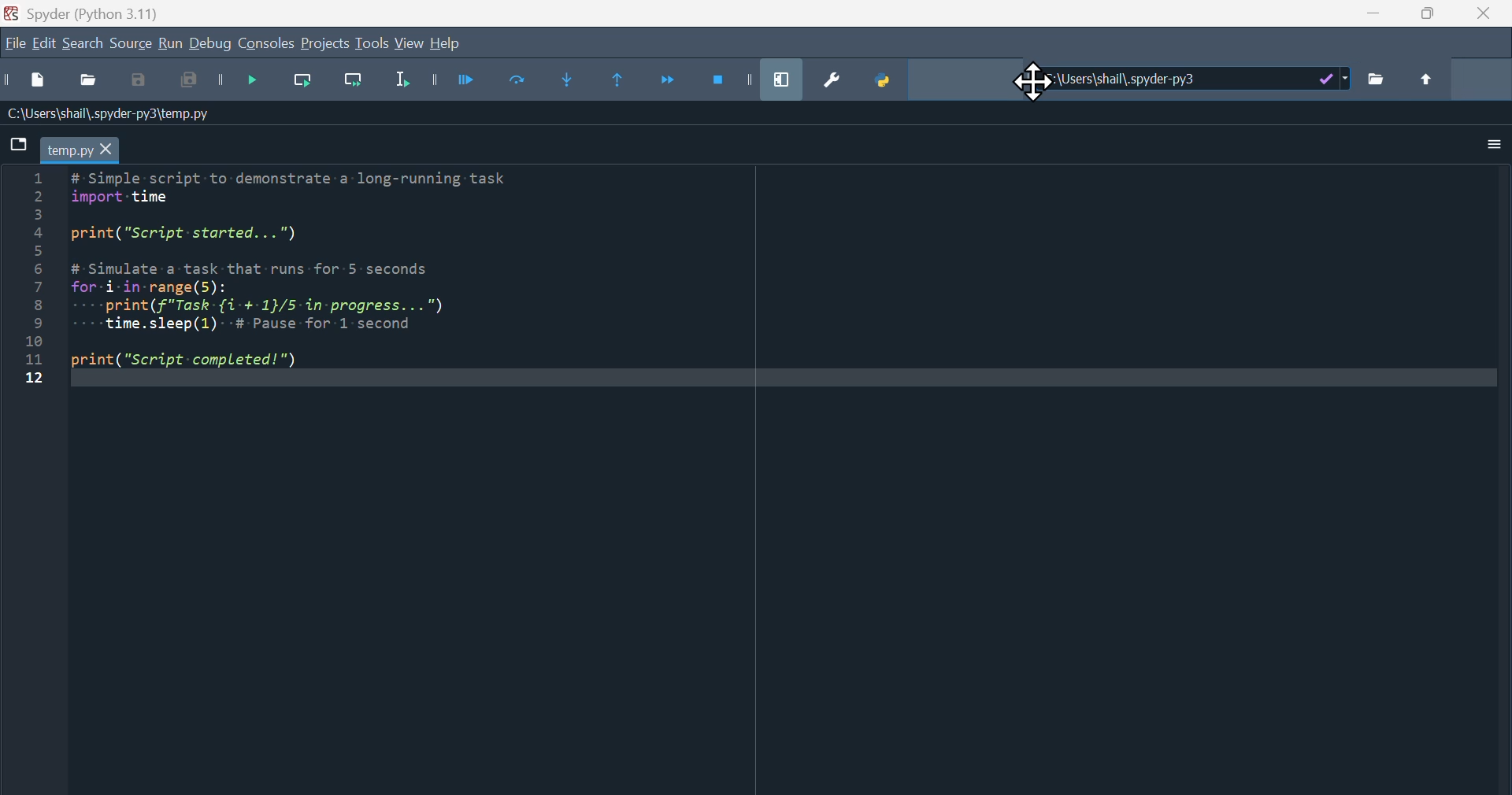  I want to click on Run current line, so click(309, 84).